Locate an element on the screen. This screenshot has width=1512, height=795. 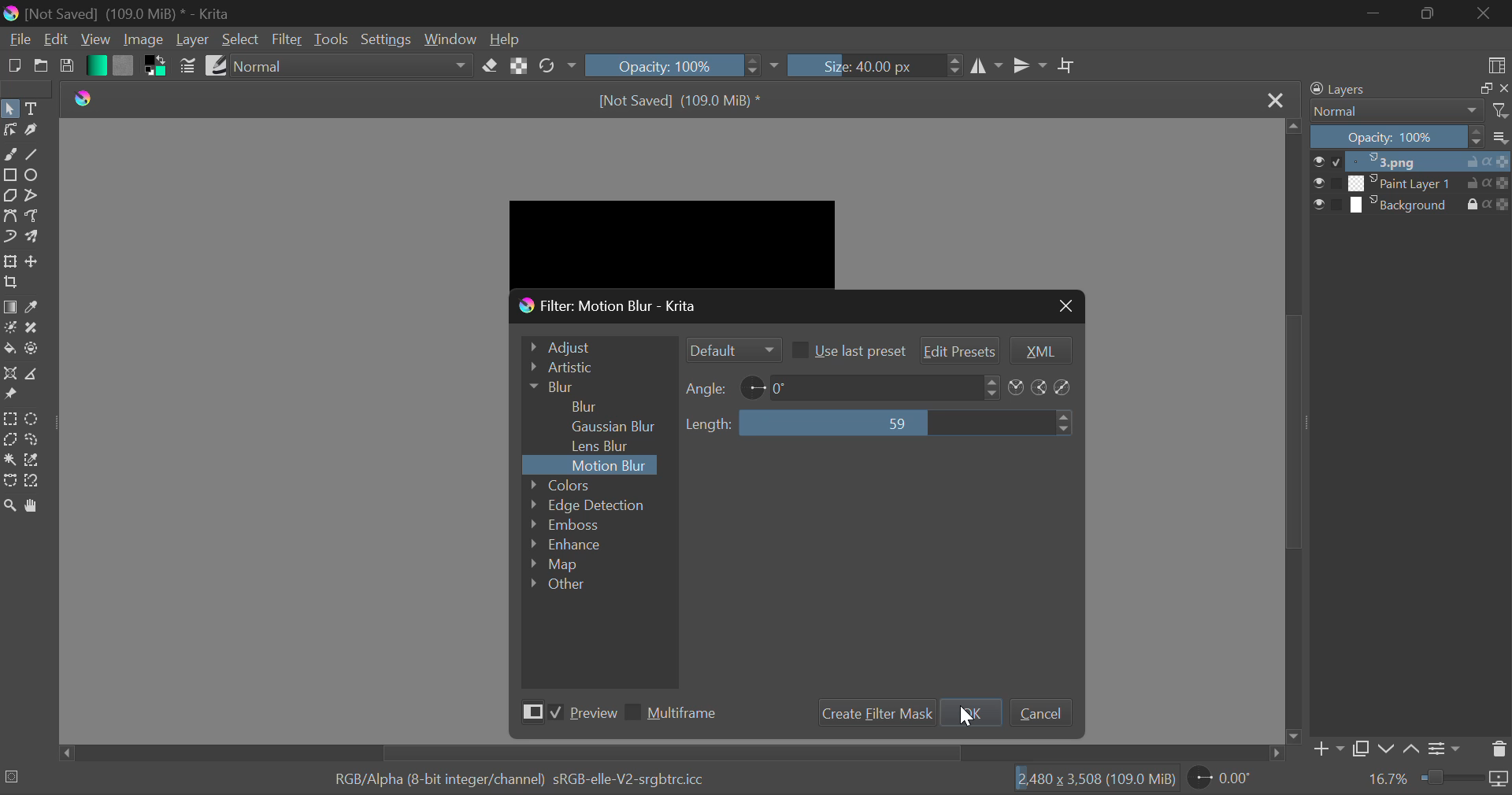
Opacity 100% is located at coordinates (1412, 138).